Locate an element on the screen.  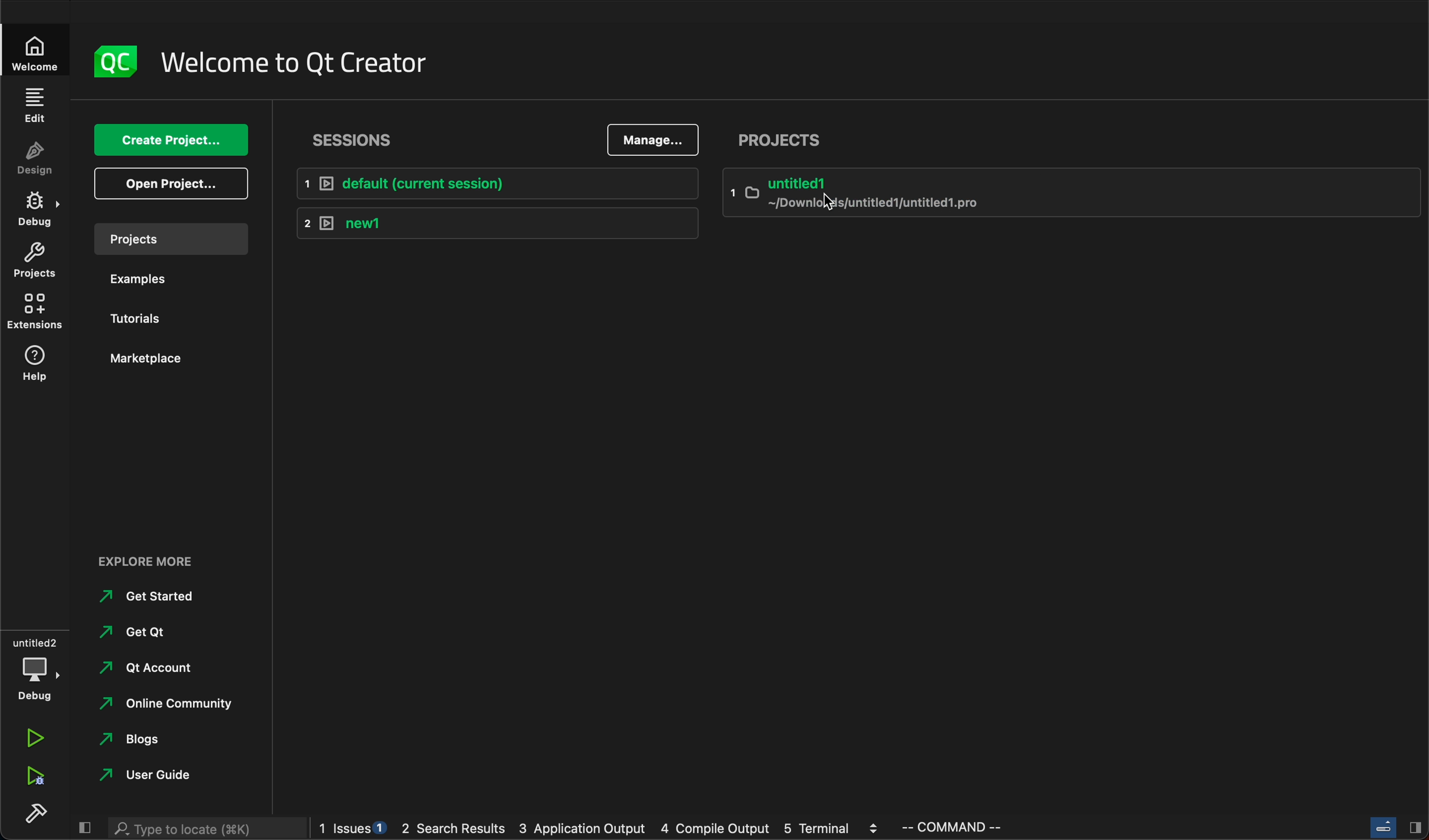
examples is located at coordinates (160, 278).